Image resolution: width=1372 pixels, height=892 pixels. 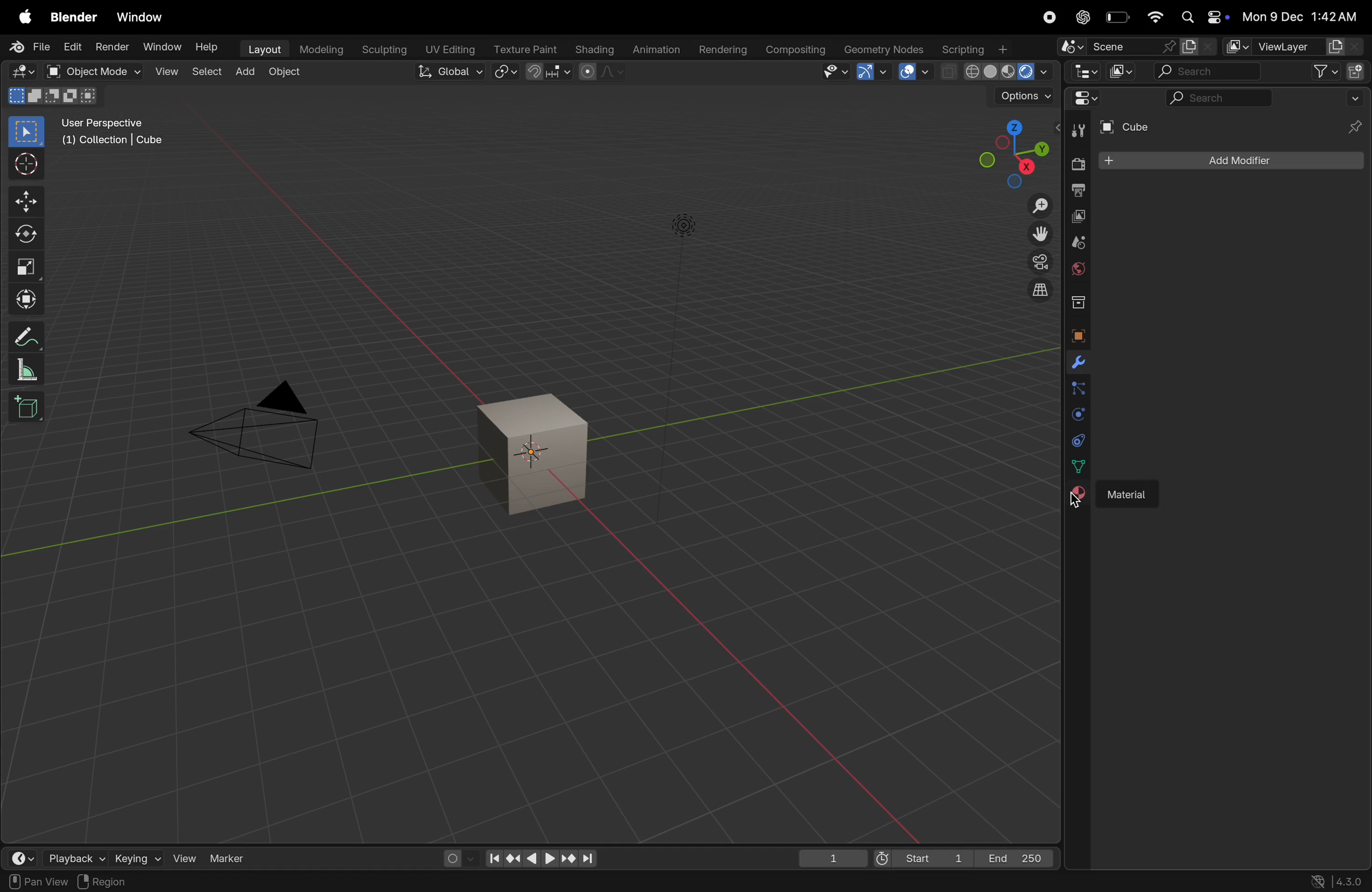 What do you see at coordinates (261, 428) in the screenshot?
I see `perspective camera` at bounding box center [261, 428].